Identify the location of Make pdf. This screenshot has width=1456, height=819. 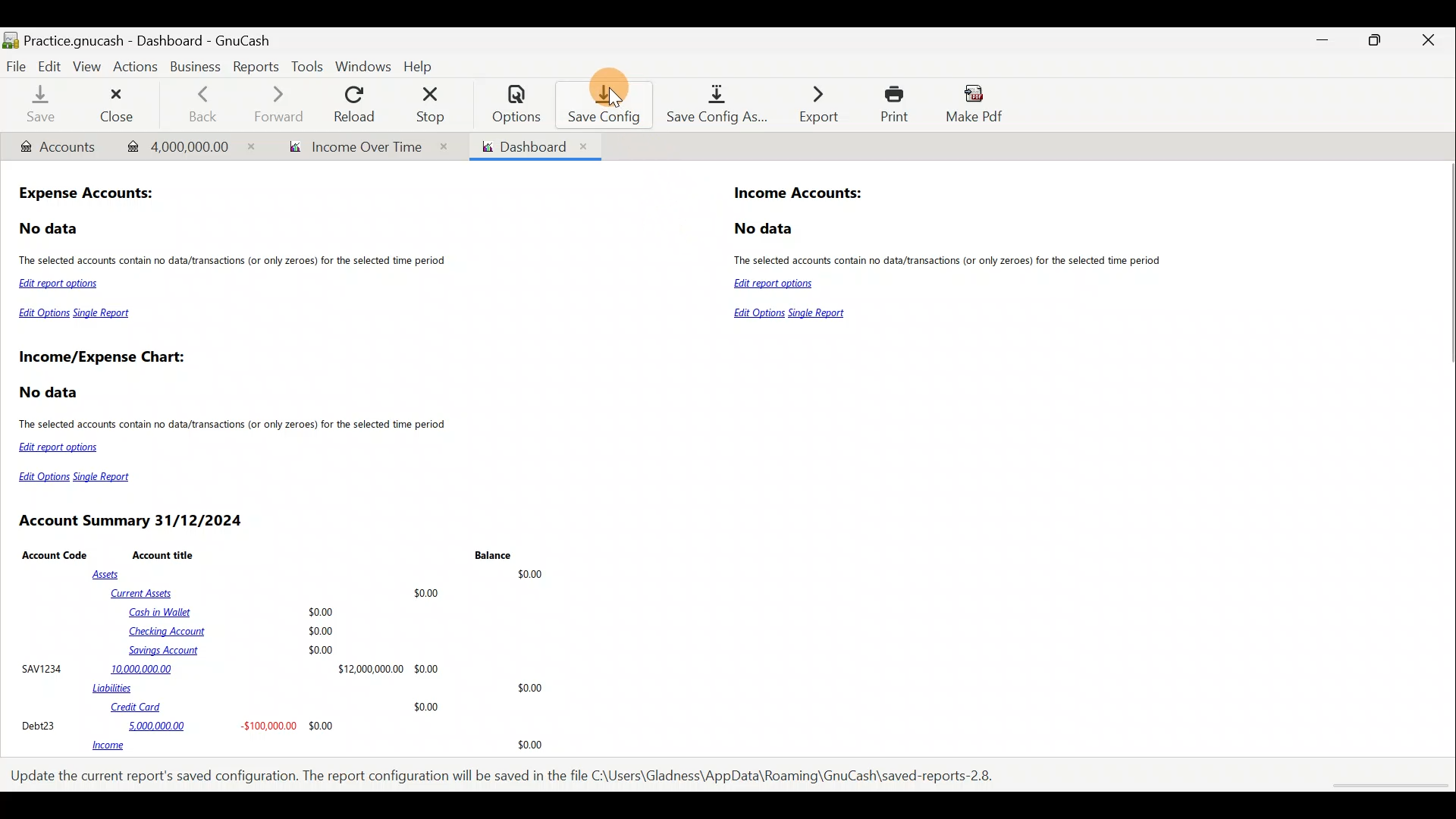
(979, 106).